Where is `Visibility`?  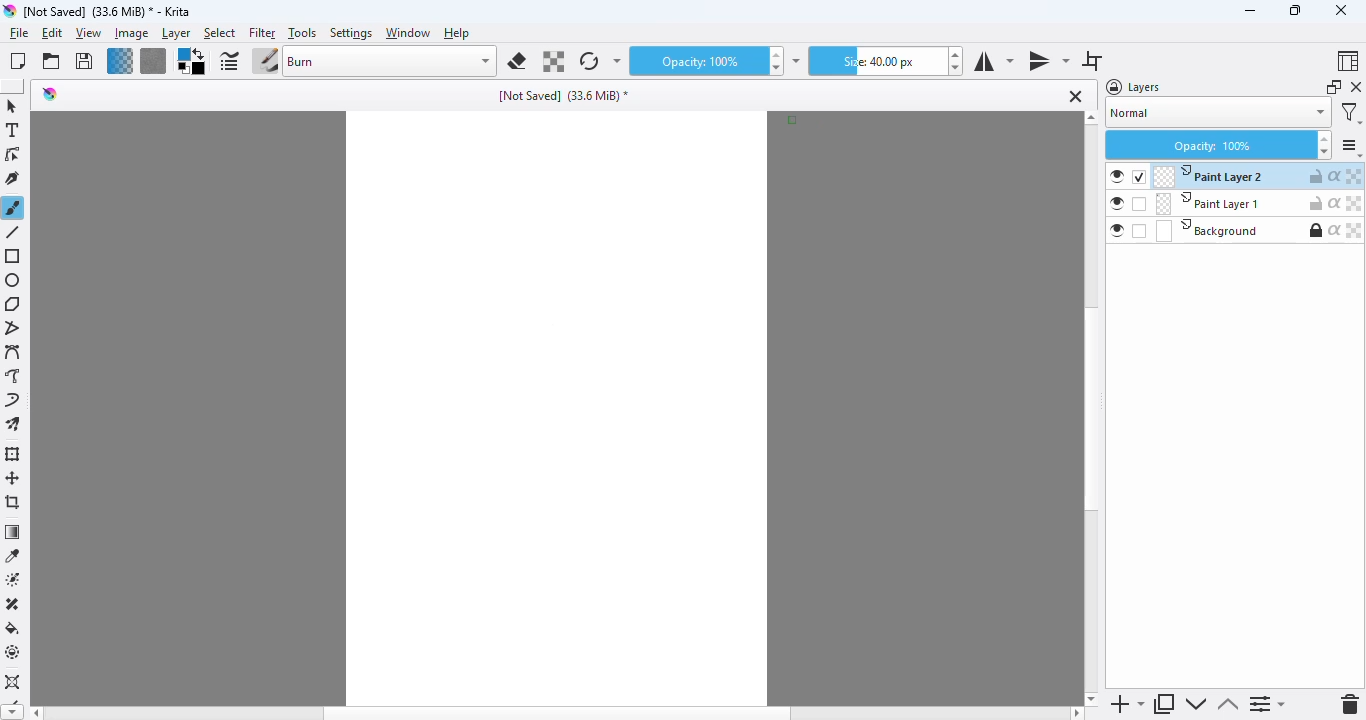 Visibility is located at coordinates (1116, 231).